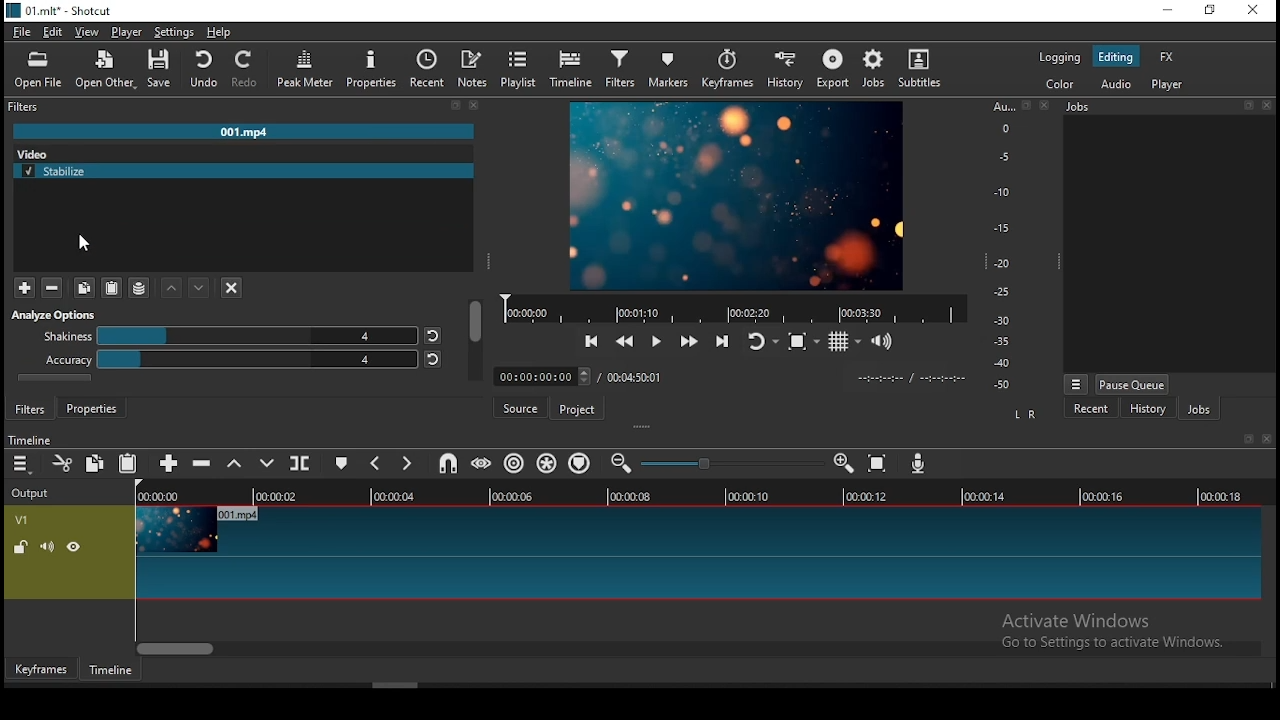  I want to click on timeline, so click(699, 495).